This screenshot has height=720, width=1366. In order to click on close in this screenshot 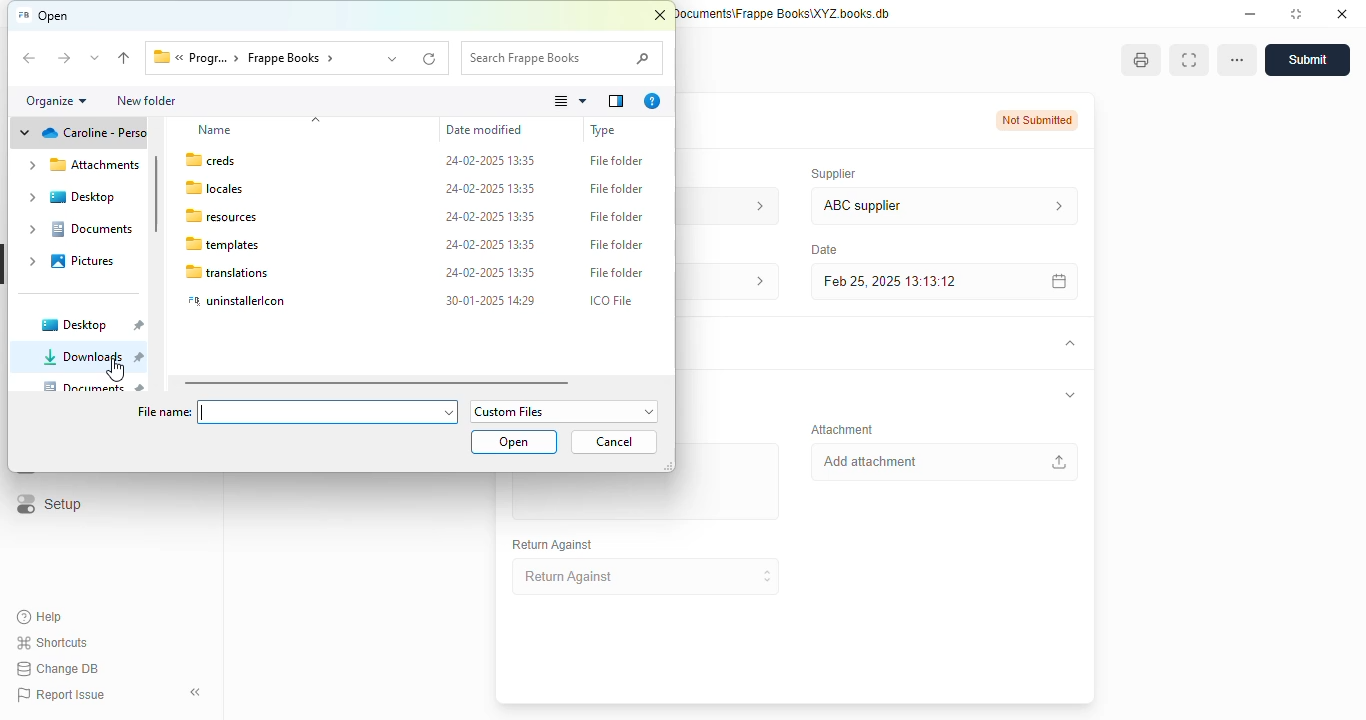, I will do `click(1342, 13)`.